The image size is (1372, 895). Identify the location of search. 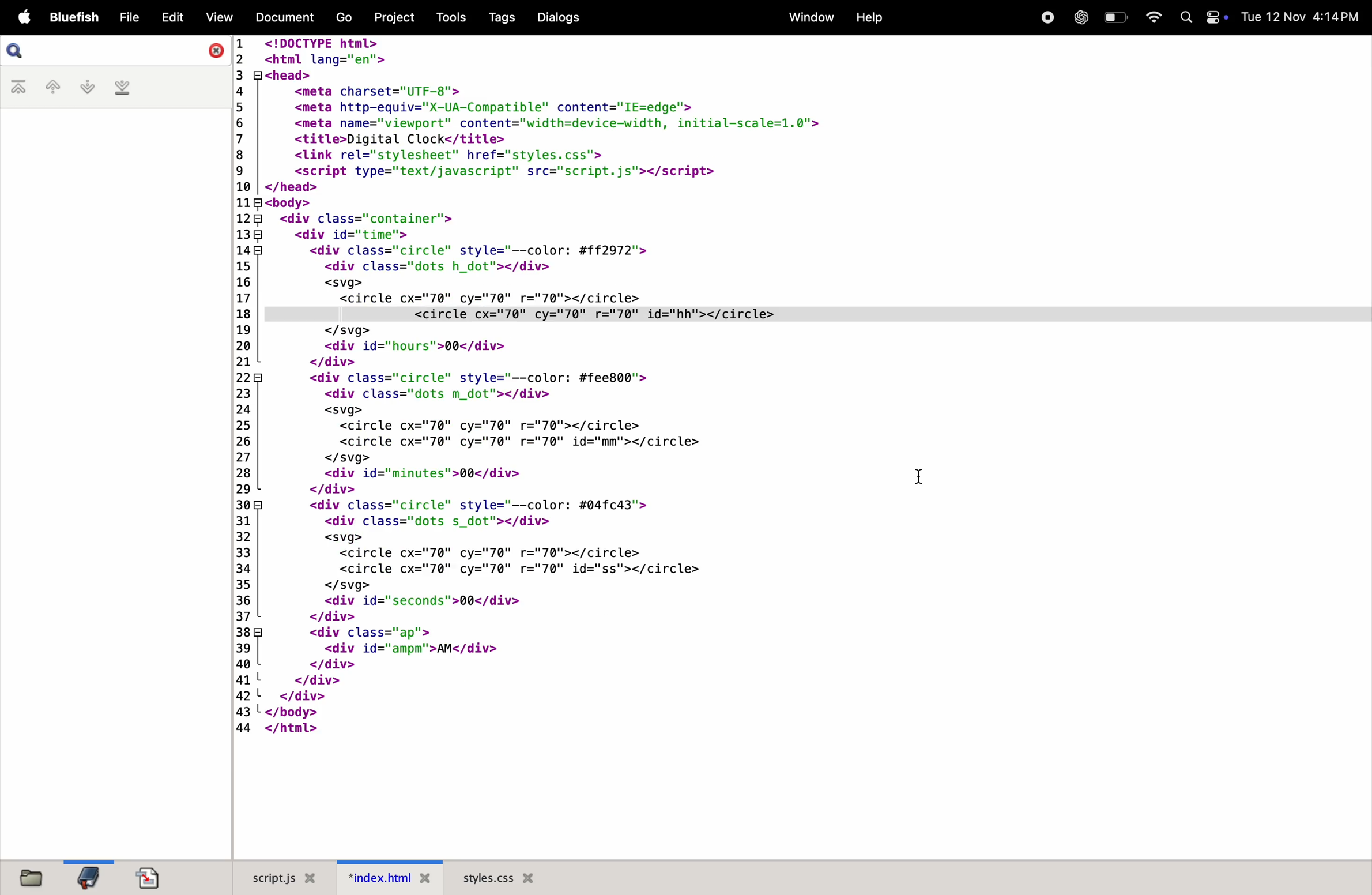
(17, 51).